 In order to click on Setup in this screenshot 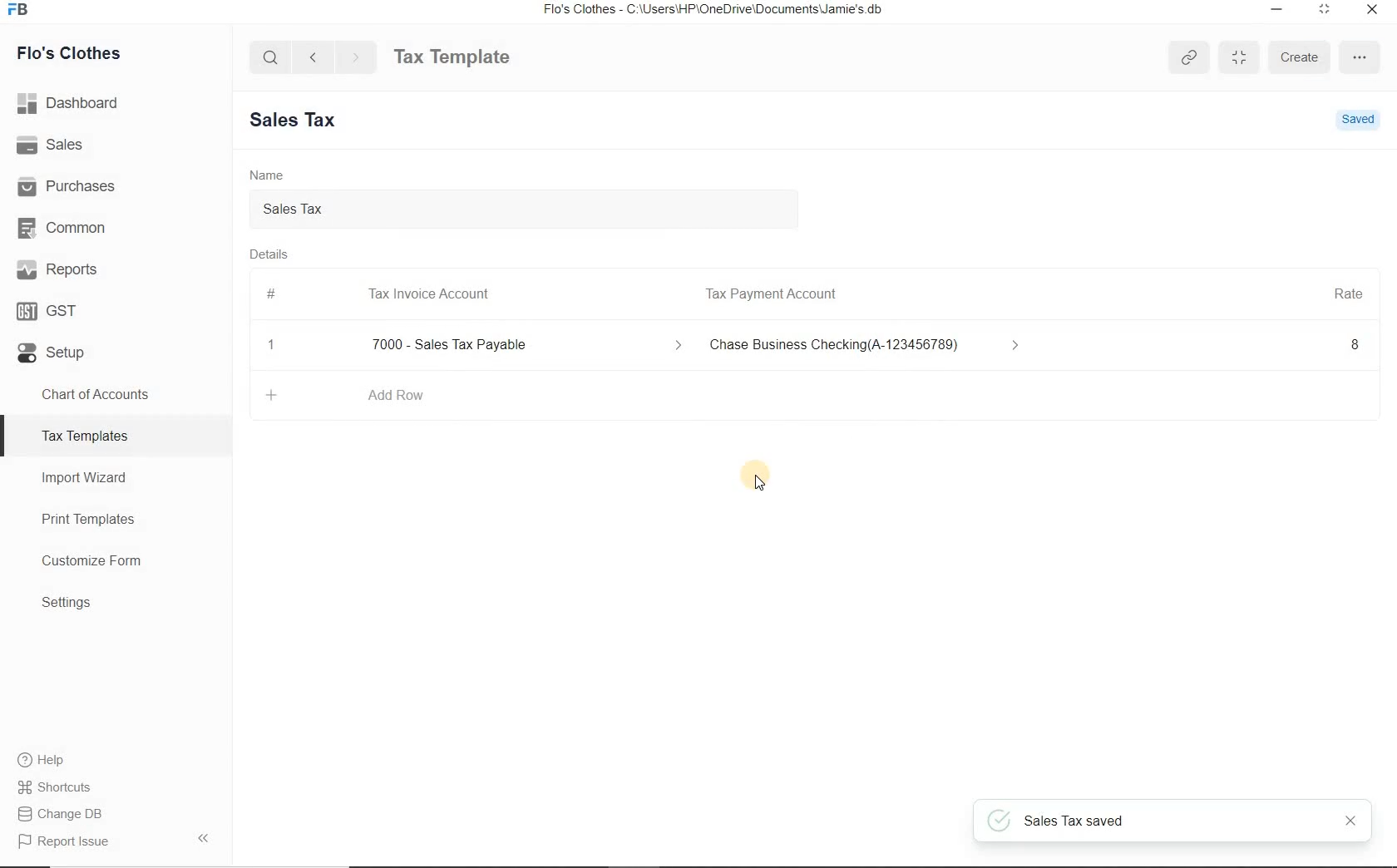, I will do `click(116, 349)`.